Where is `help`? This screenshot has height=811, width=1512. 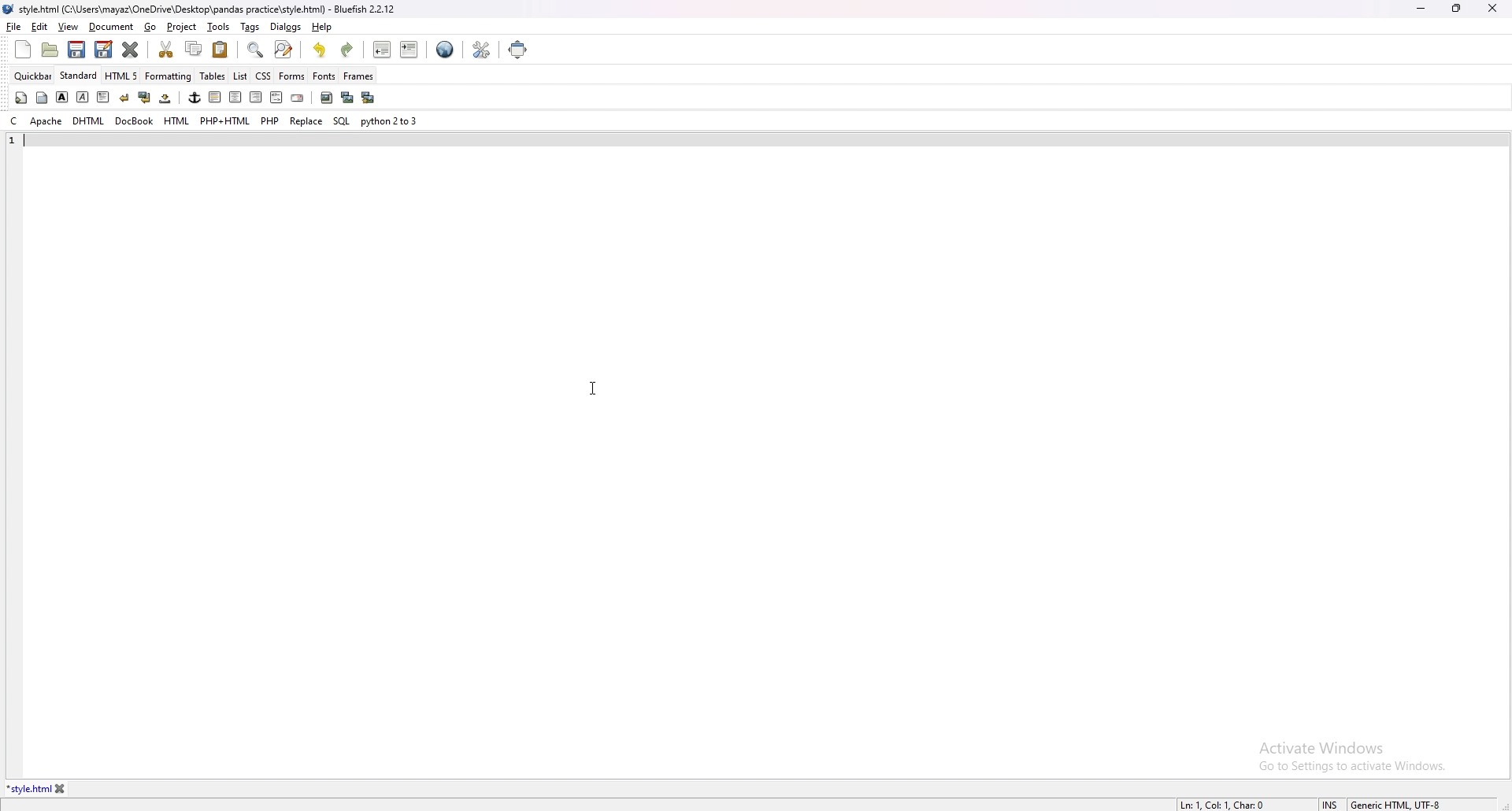 help is located at coordinates (321, 27).